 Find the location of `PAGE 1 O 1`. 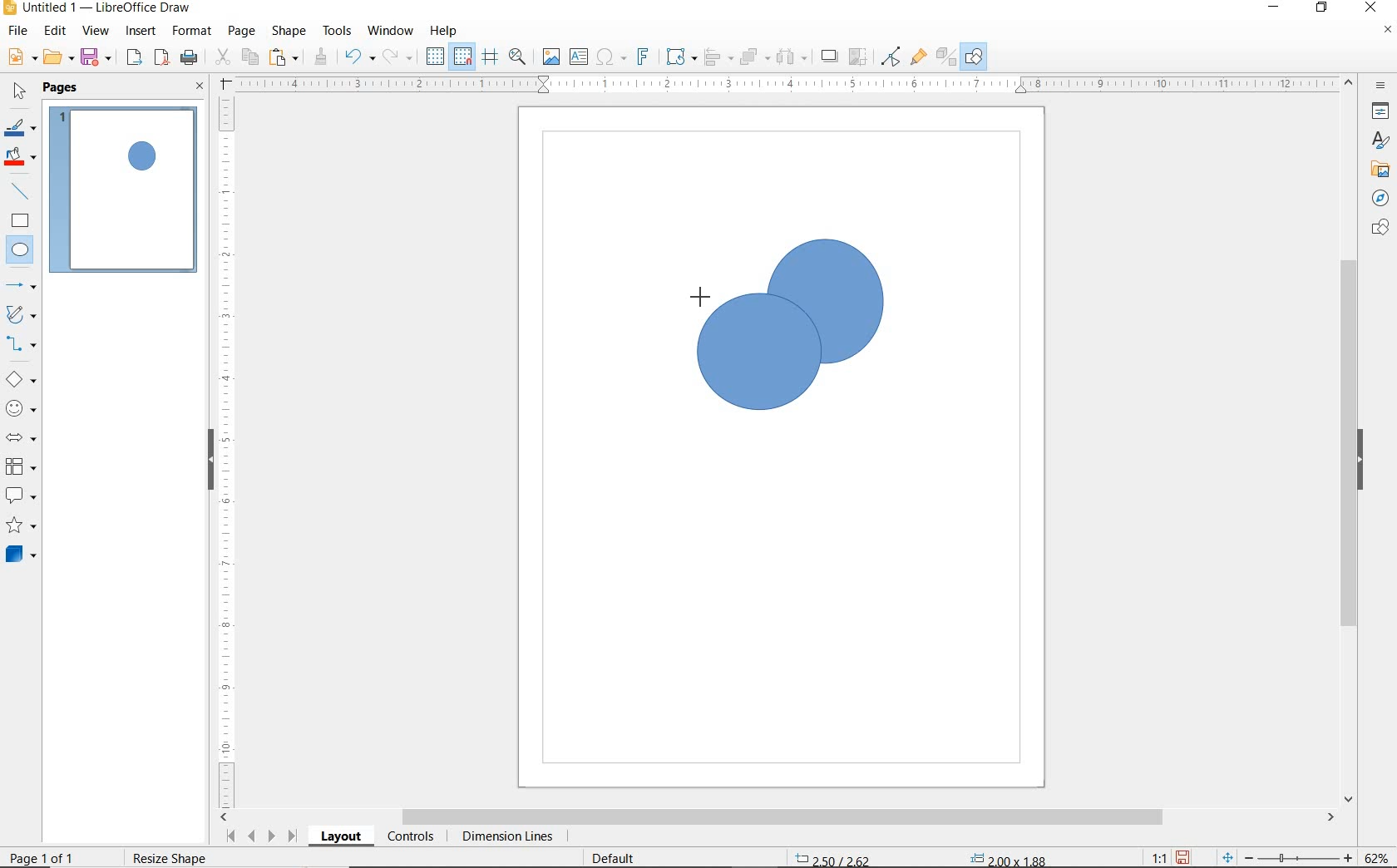

PAGE 1 O 1 is located at coordinates (54, 851).